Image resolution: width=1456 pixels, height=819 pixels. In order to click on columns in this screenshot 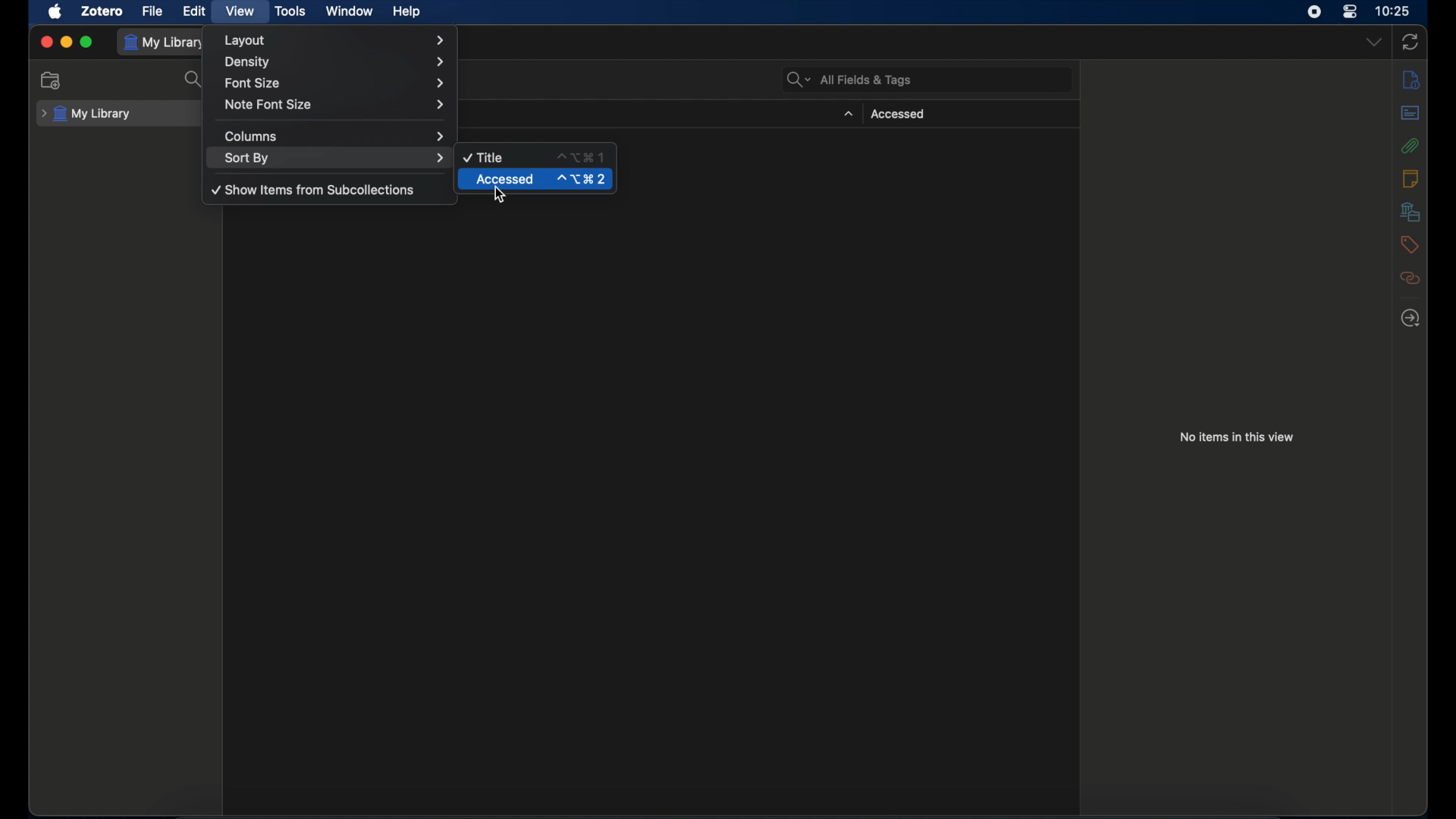, I will do `click(335, 135)`.